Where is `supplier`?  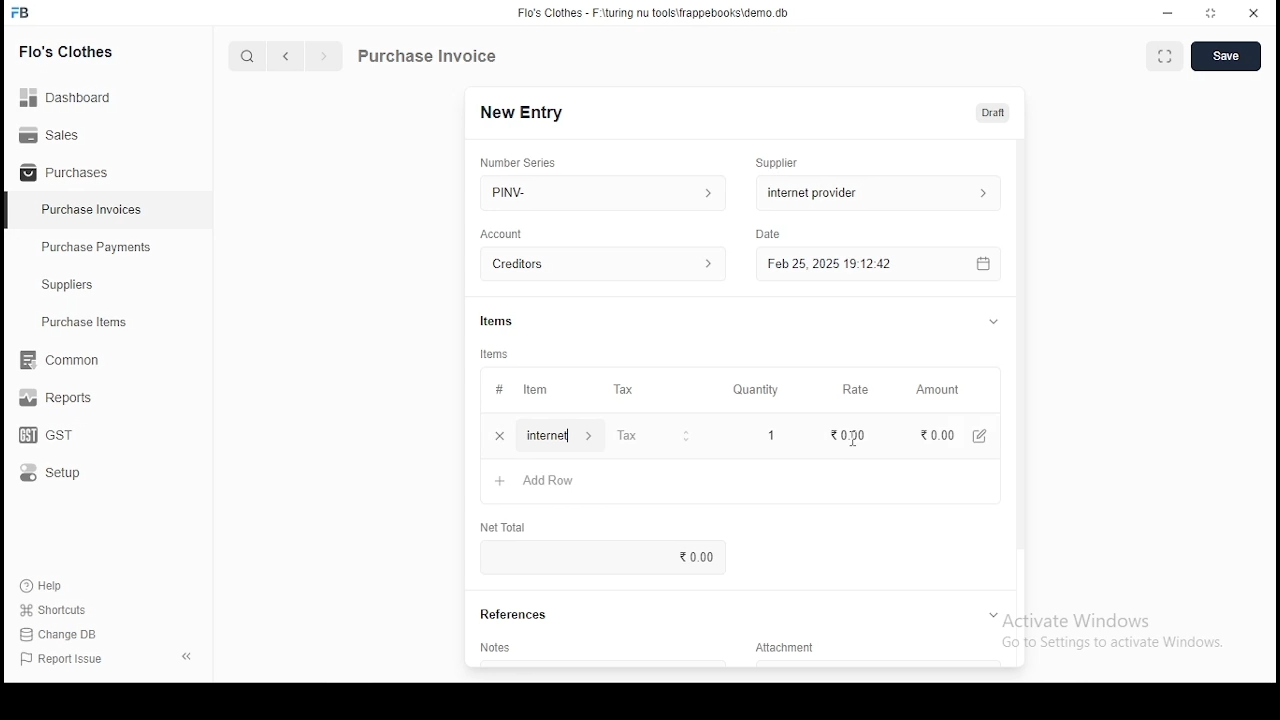
supplier is located at coordinates (873, 192).